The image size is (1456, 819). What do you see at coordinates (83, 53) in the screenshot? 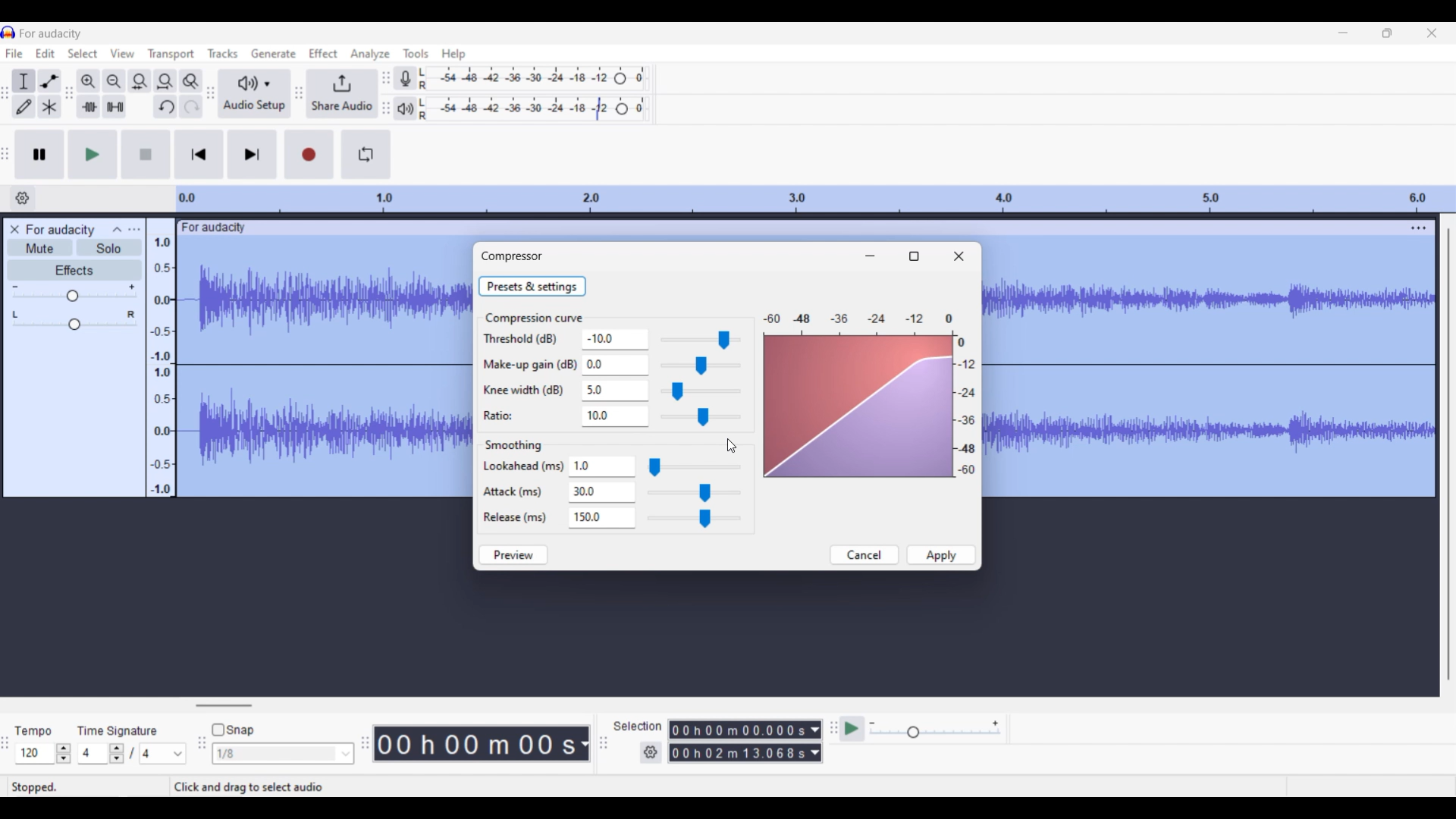
I see `Select` at bounding box center [83, 53].